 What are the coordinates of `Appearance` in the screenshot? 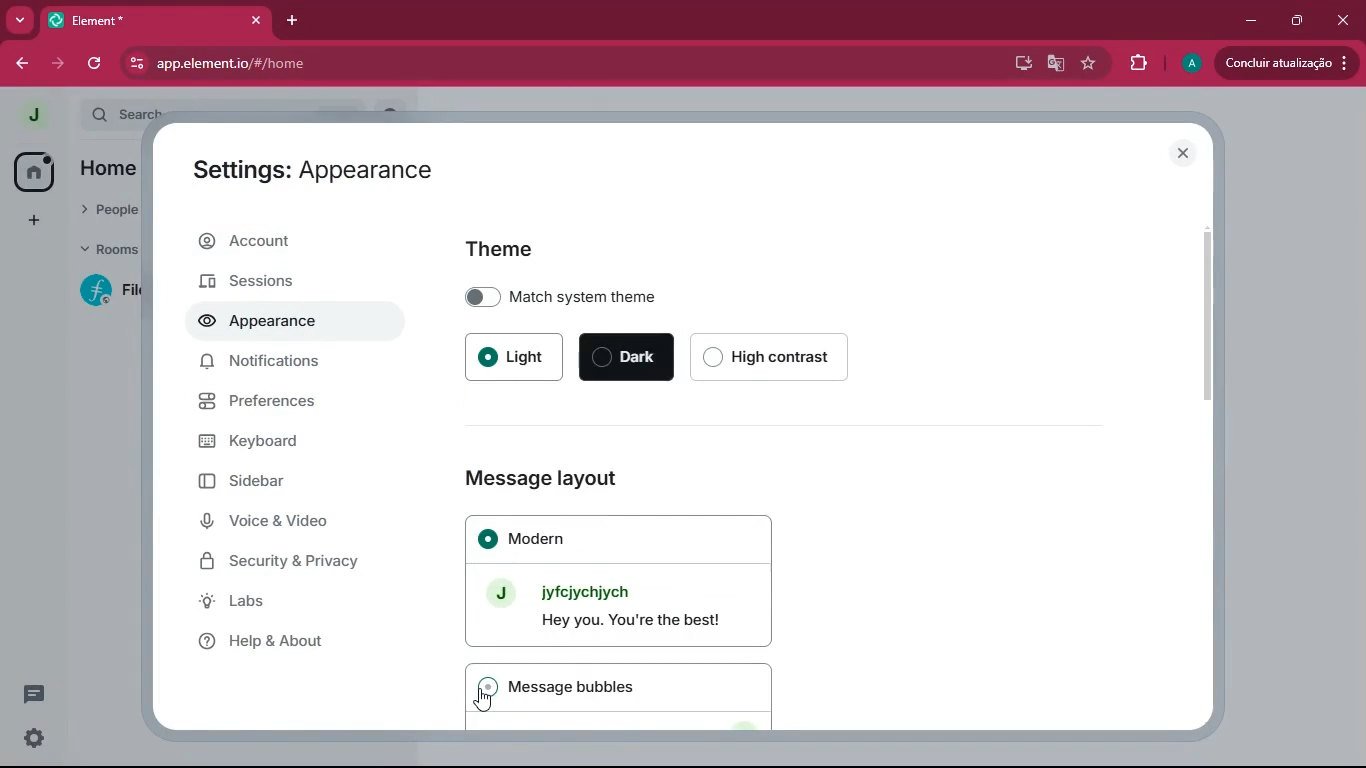 It's located at (267, 319).